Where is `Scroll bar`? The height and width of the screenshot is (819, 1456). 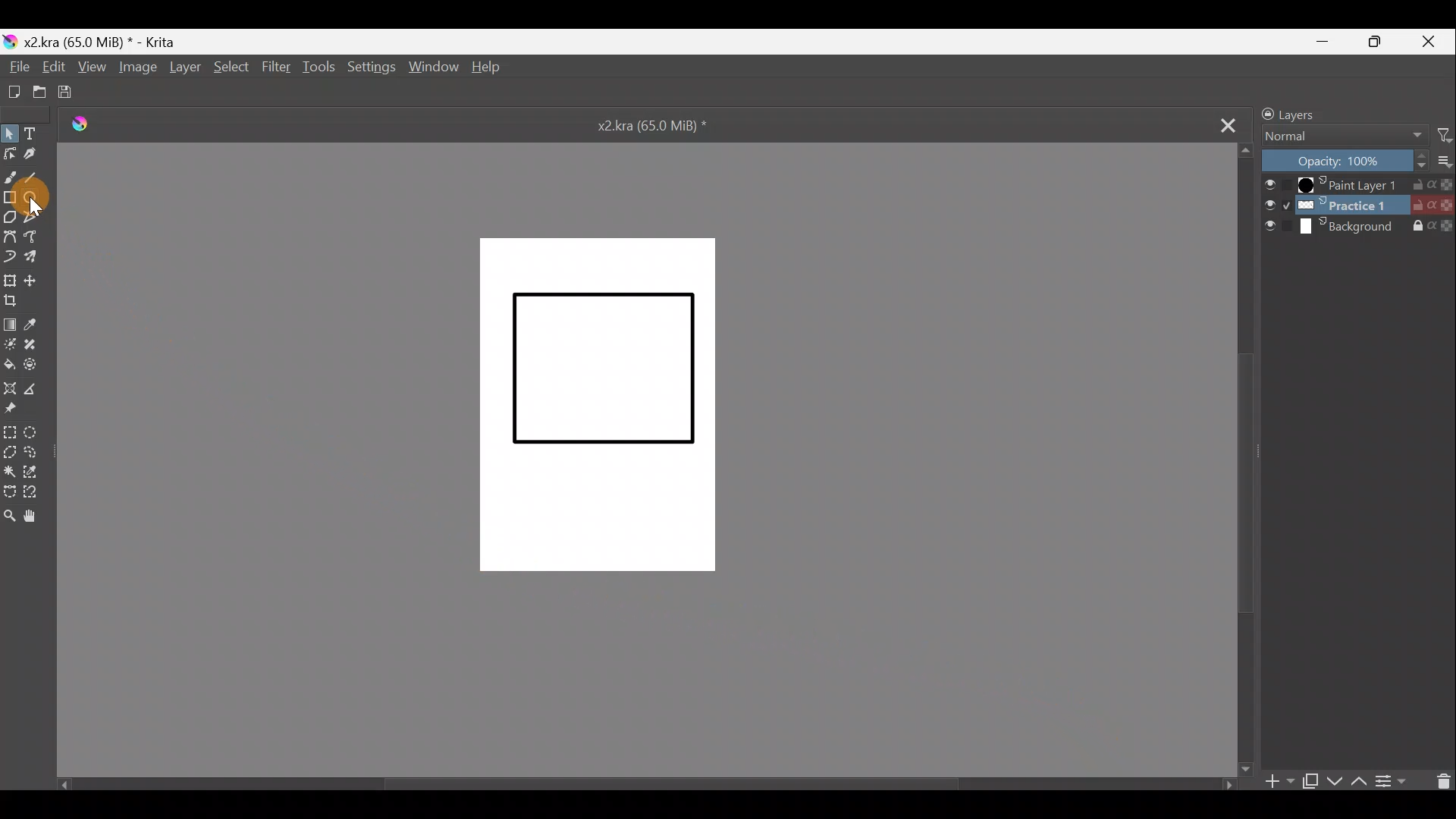
Scroll bar is located at coordinates (1247, 459).